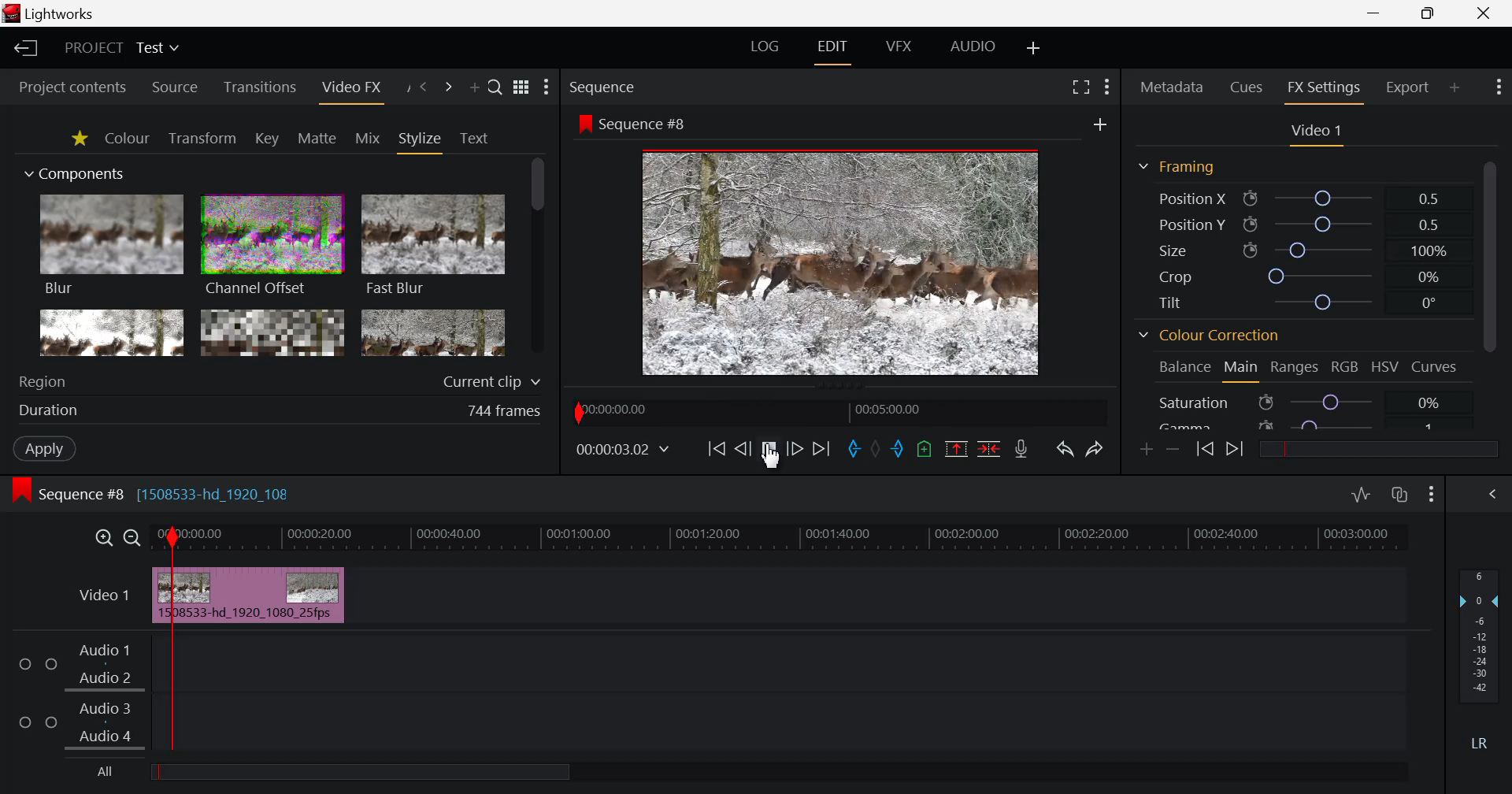  What do you see at coordinates (102, 538) in the screenshot?
I see `Timeline Zoom In` at bounding box center [102, 538].